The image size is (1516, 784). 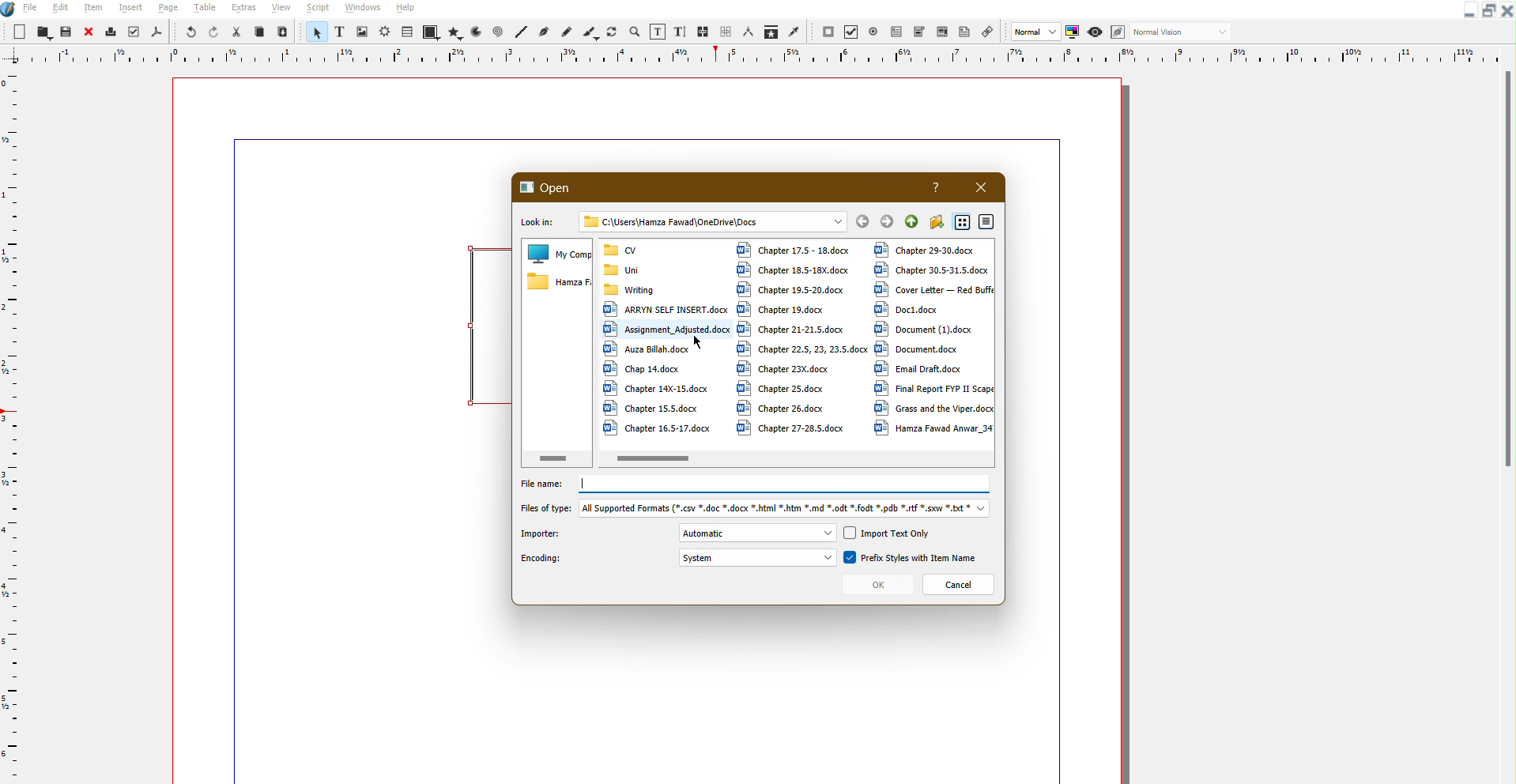 I want to click on Help, so click(x=405, y=9).